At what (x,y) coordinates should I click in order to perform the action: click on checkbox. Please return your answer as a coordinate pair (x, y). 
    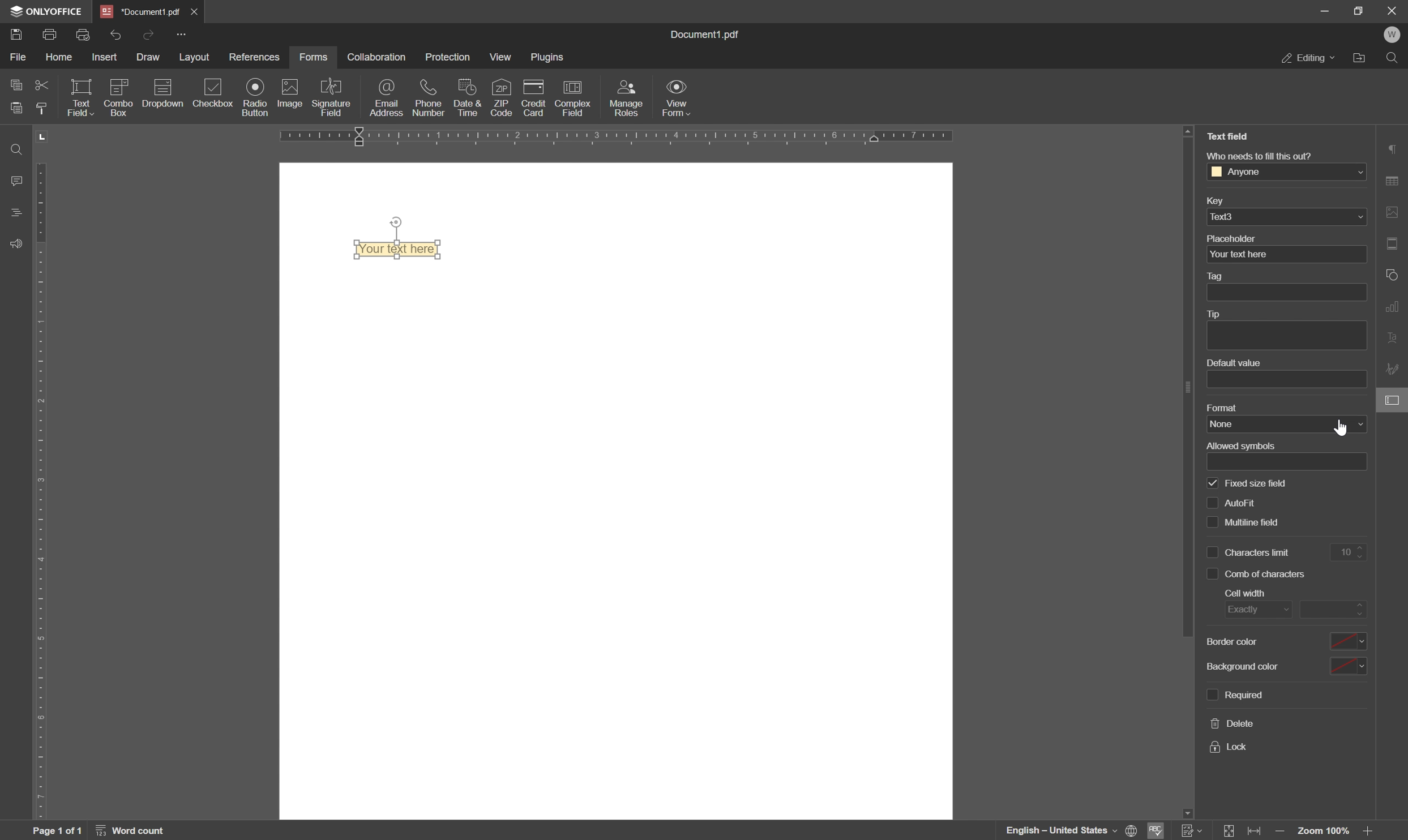
    Looking at the image, I should click on (1212, 482).